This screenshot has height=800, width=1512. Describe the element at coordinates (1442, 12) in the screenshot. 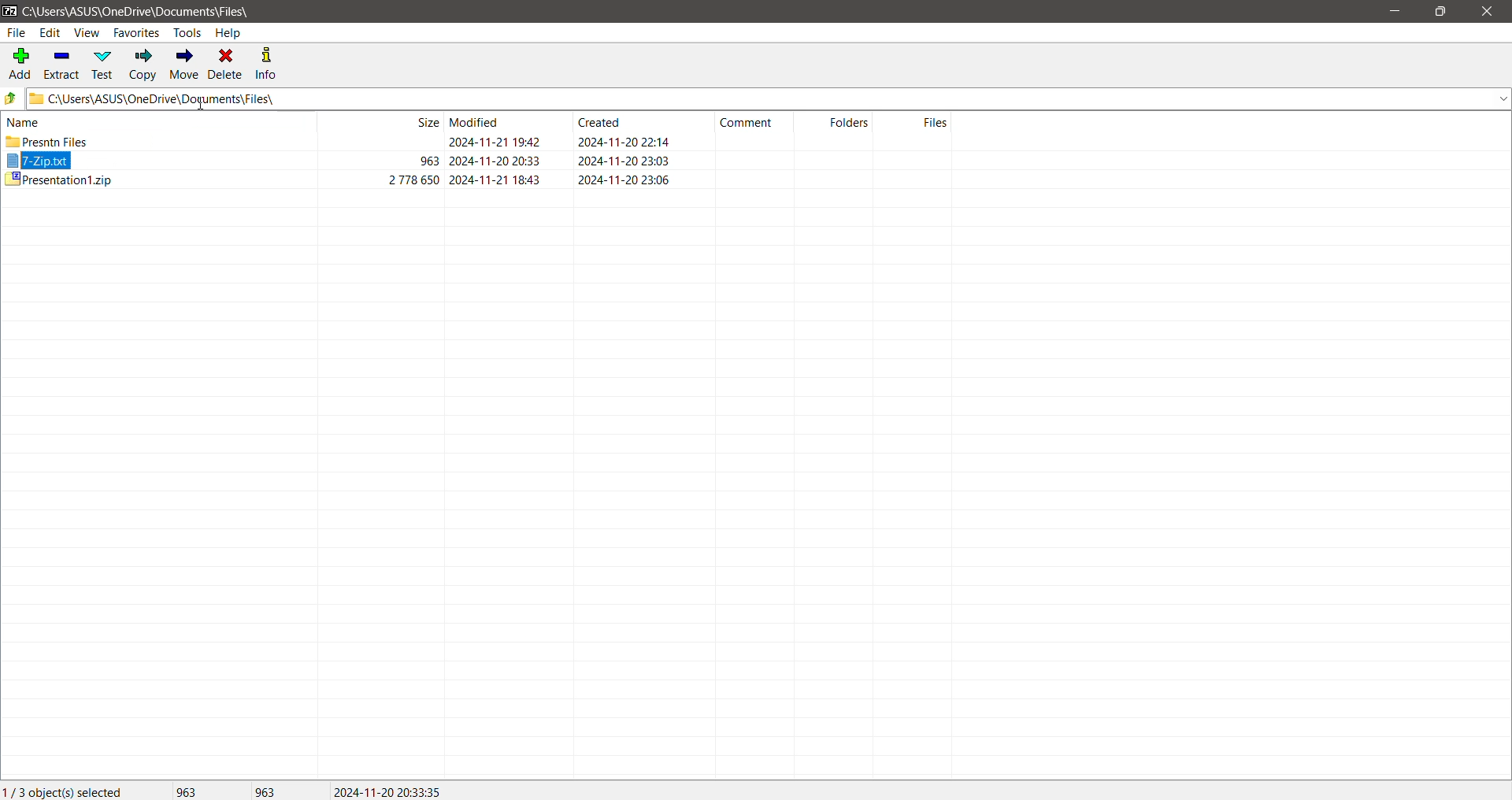

I see `Restore Down` at that location.